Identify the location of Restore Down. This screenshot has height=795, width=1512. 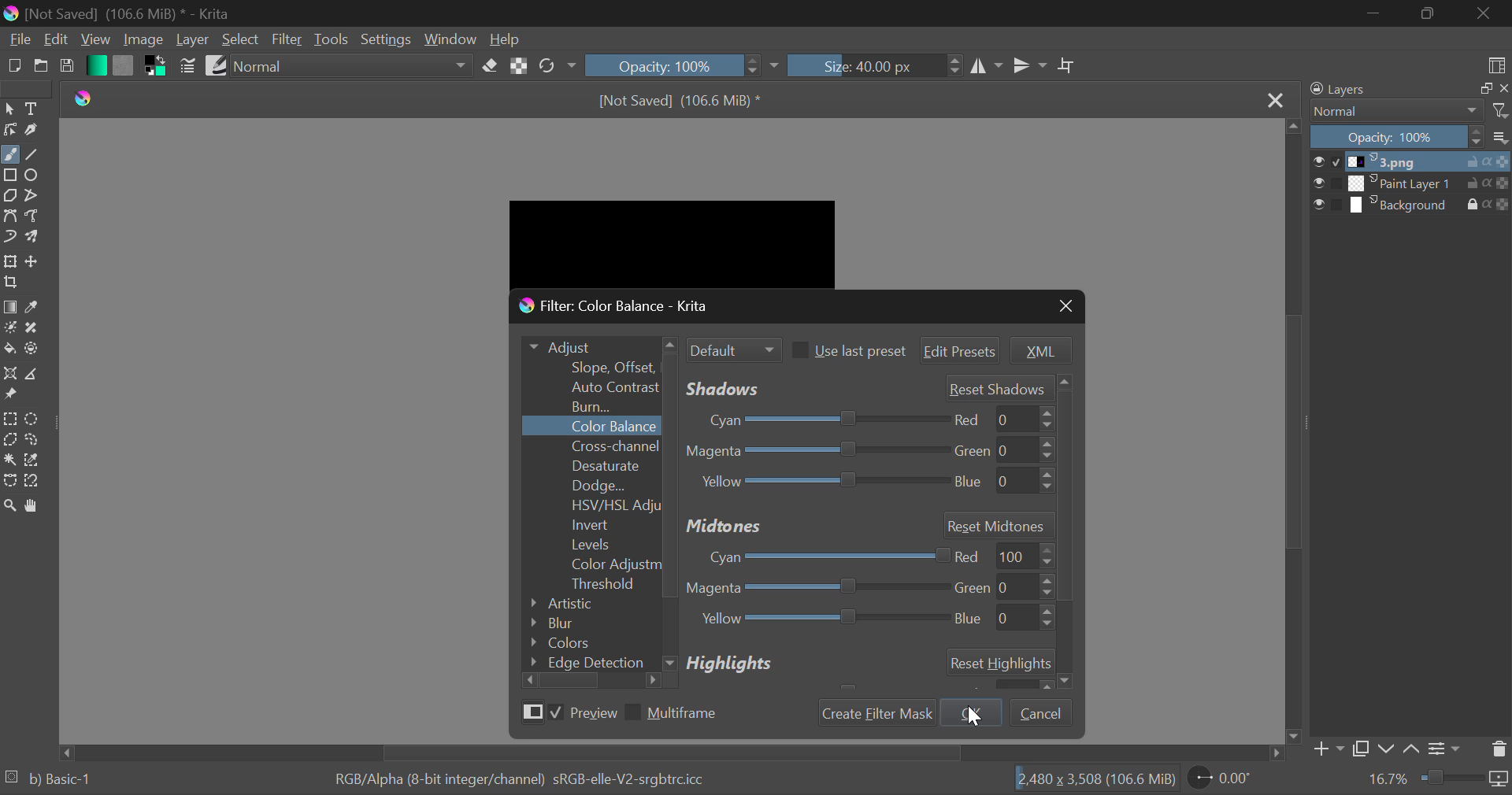
(1375, 13).